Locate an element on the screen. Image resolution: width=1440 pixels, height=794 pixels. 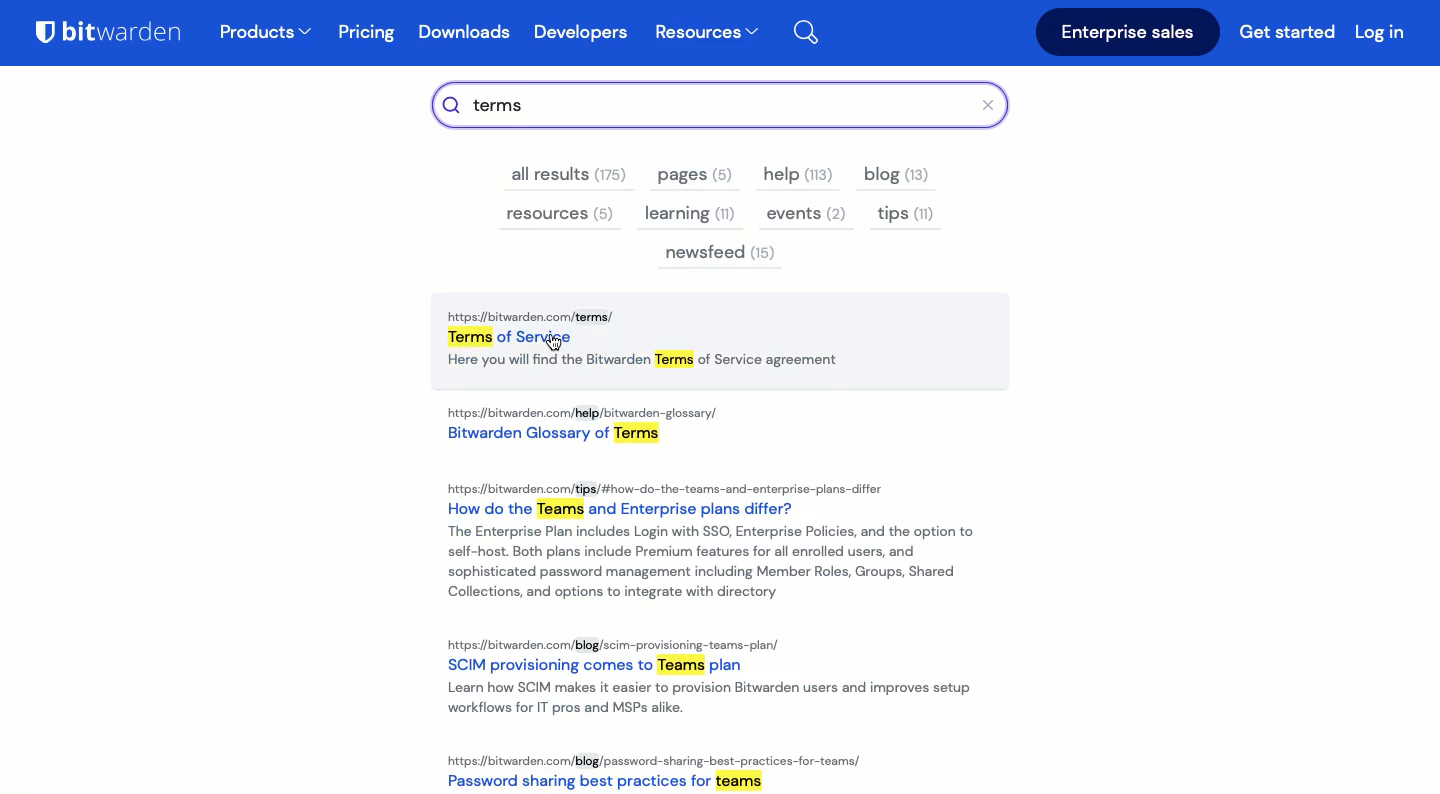
Developers is located at coordinates (580, 33).